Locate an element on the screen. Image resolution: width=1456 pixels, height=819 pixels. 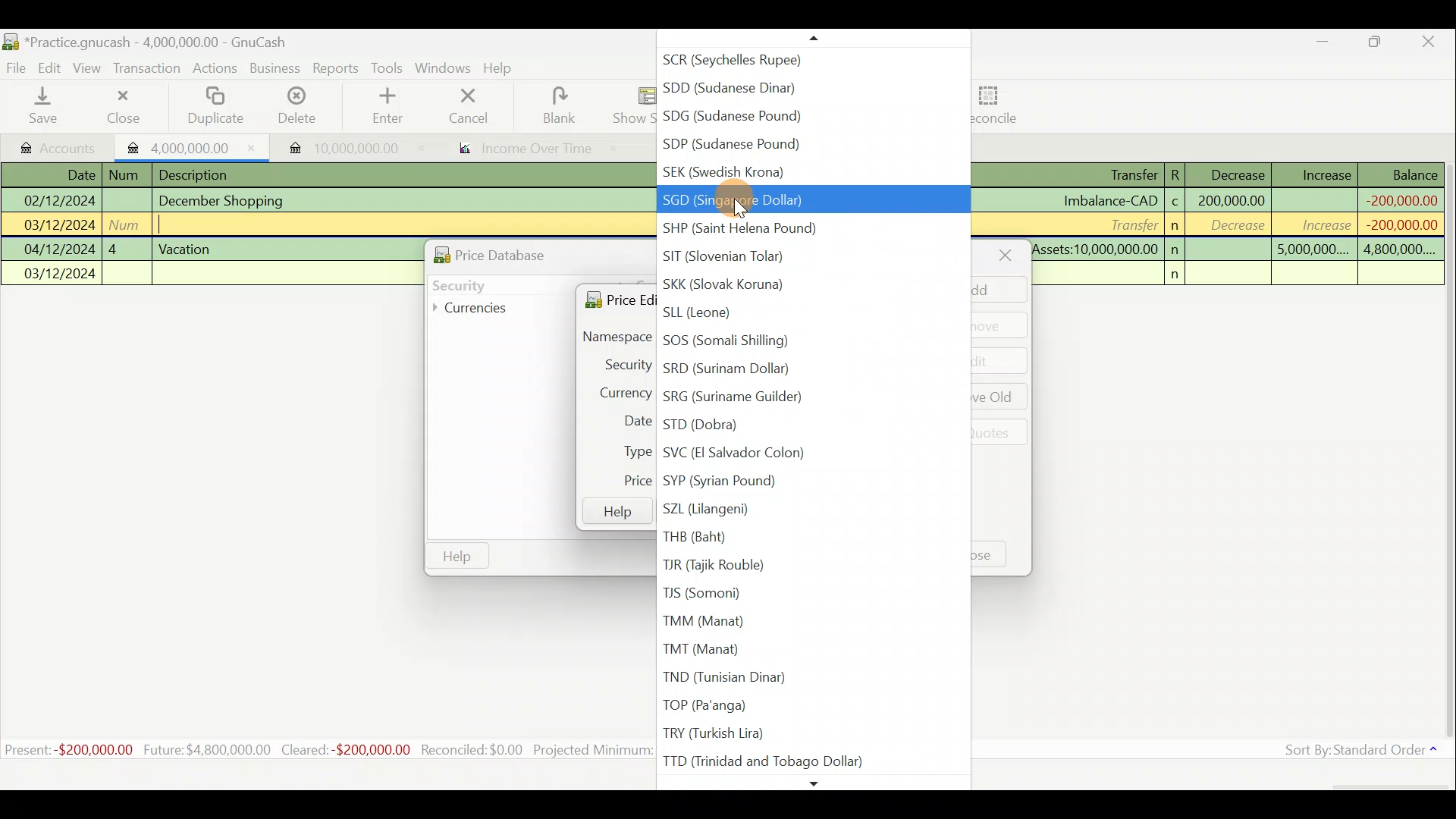
Sort by is located at coordinates (1354, 752).